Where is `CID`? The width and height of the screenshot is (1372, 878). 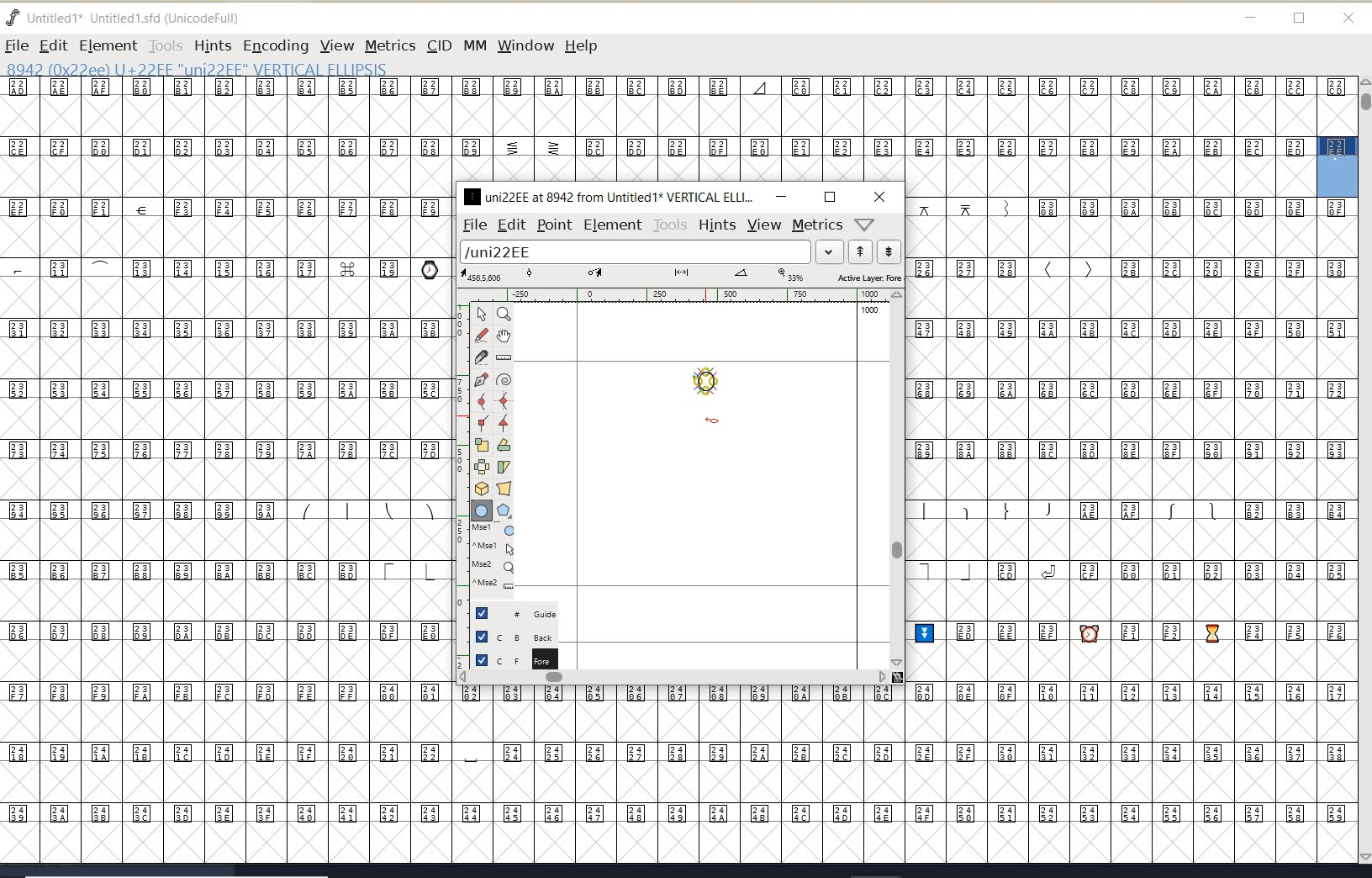 CID is located at coordinates (438, 45).